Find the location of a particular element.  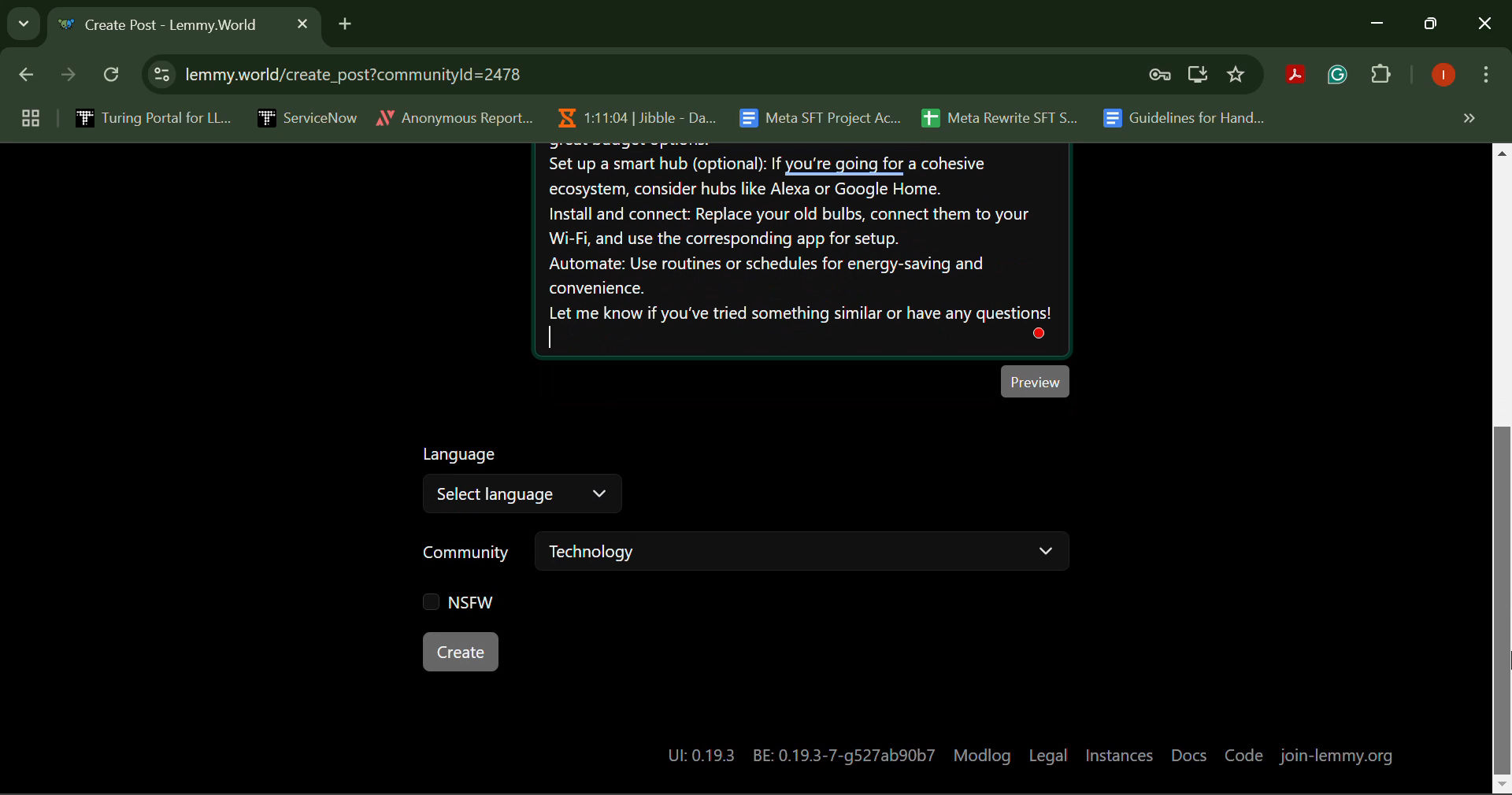

Meta SFT Project is located at coordinates (822, 116).